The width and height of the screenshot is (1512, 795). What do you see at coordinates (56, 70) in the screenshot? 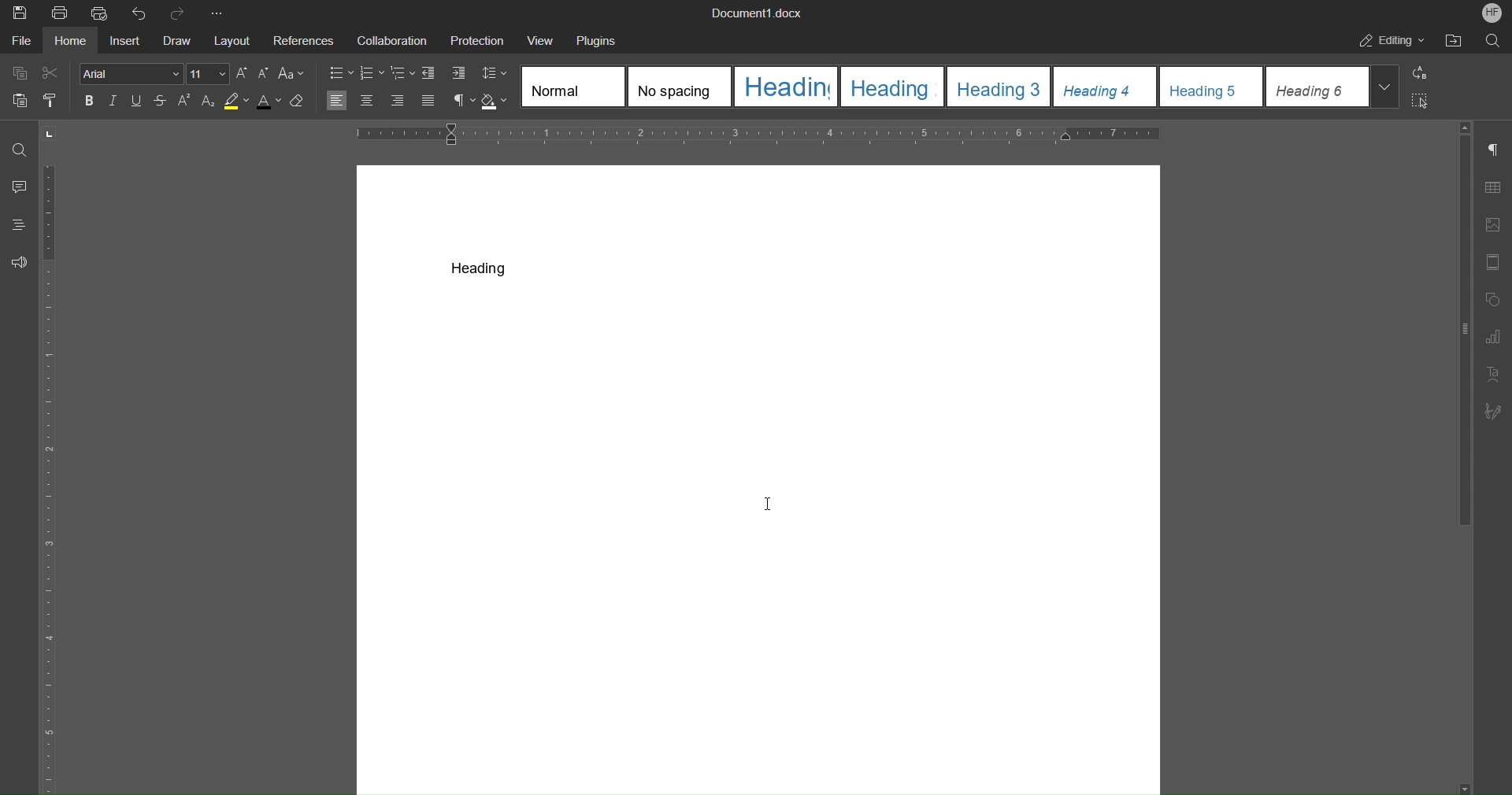
I see `Cut` at bounding box center [56, 70].